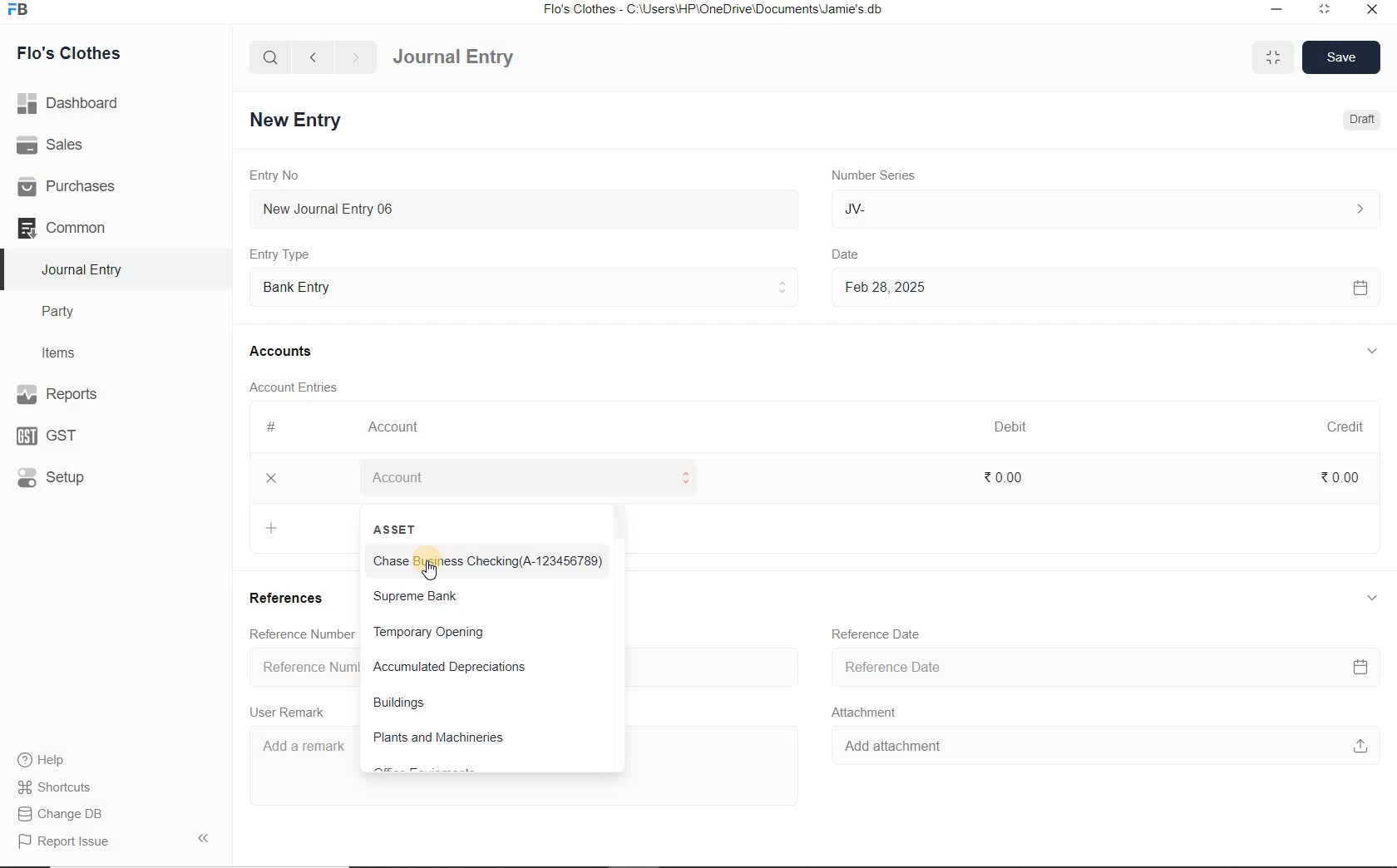  What do you see at coordinates (83, 396) in the screenshot?
I see `Reports` at bounding box center [83, 396].